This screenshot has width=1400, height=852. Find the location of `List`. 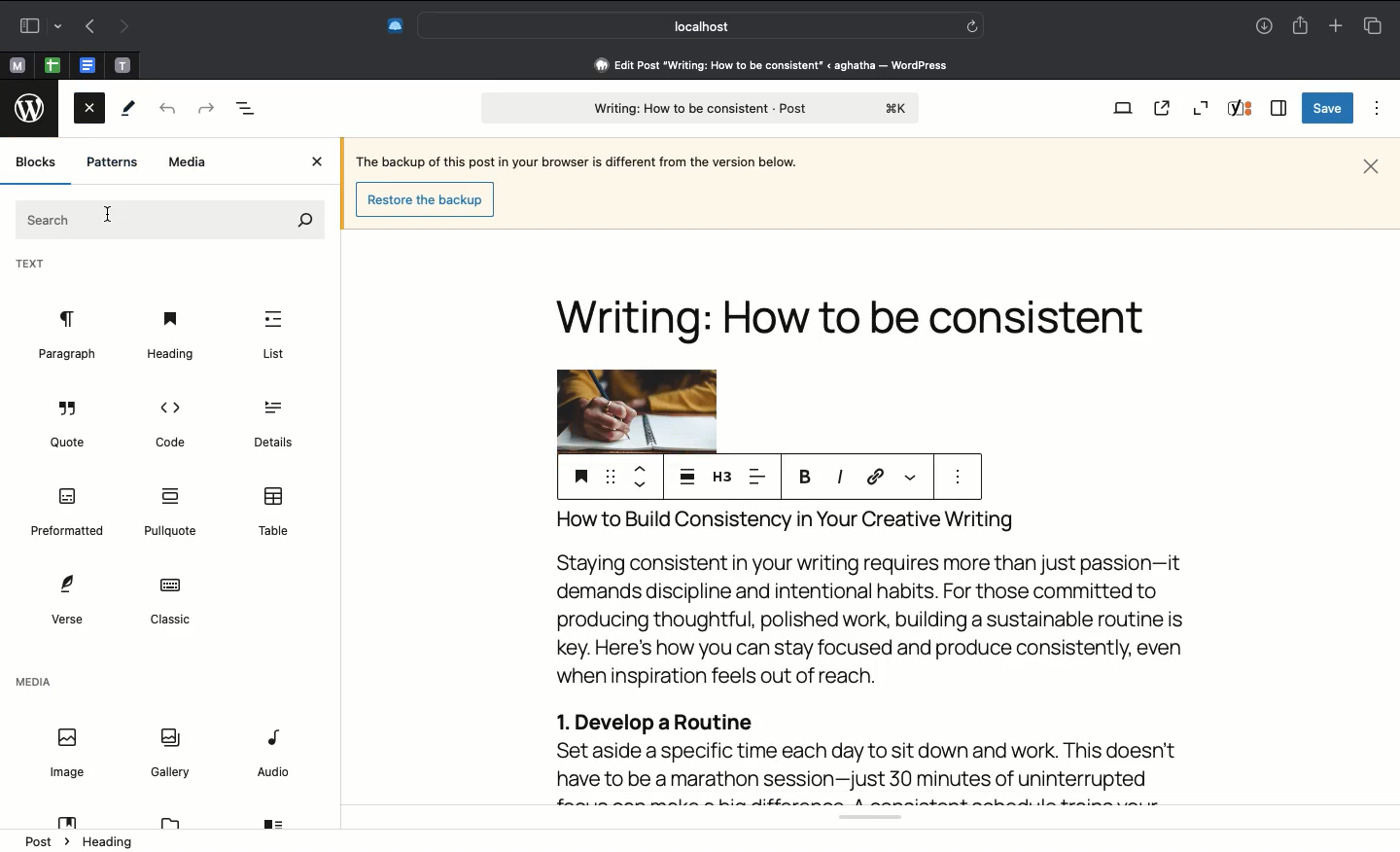

List is located at coordinates (273, 336).